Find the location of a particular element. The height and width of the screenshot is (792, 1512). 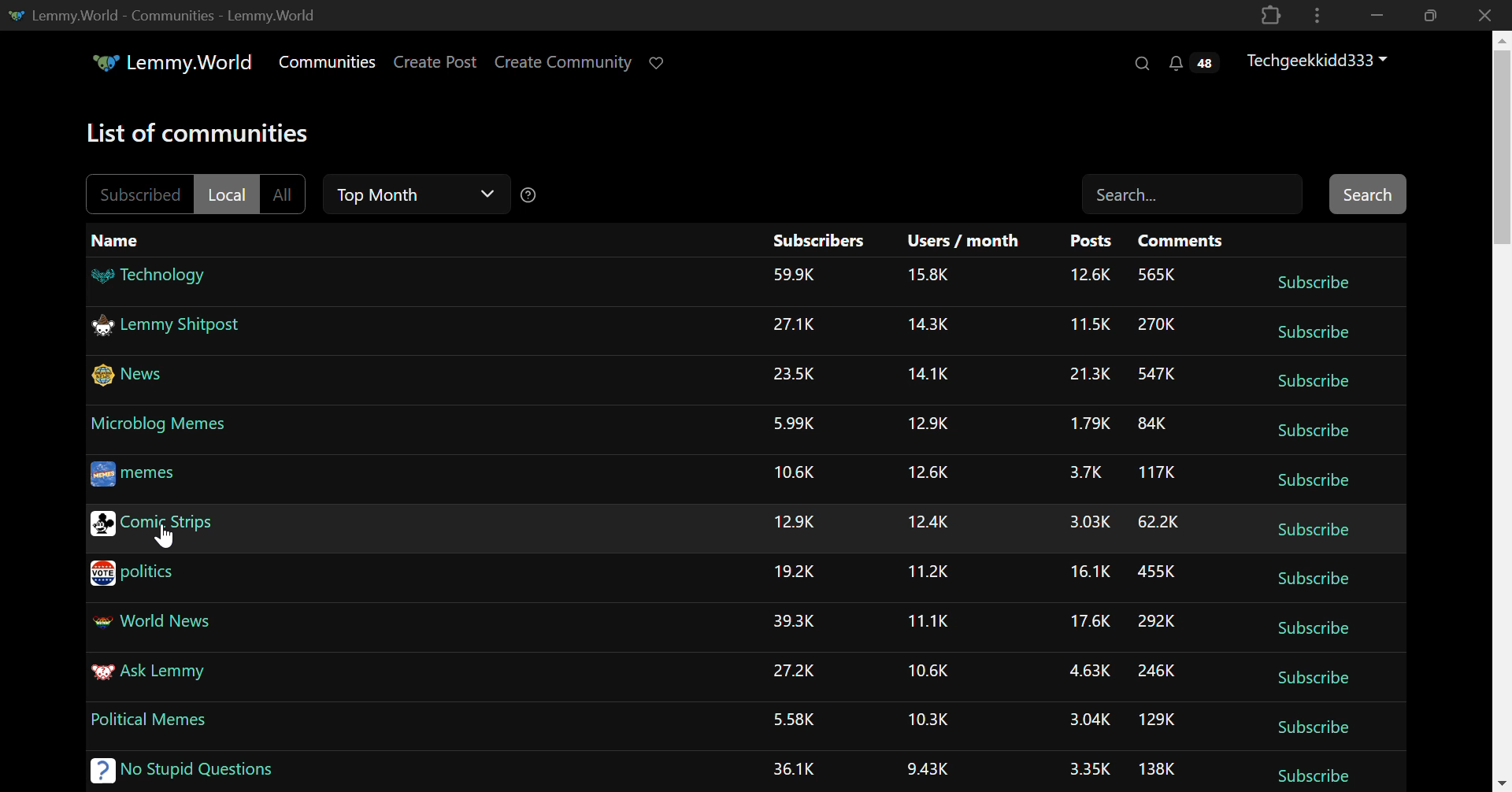

Subscribe is located at coordinates (1317, 631).